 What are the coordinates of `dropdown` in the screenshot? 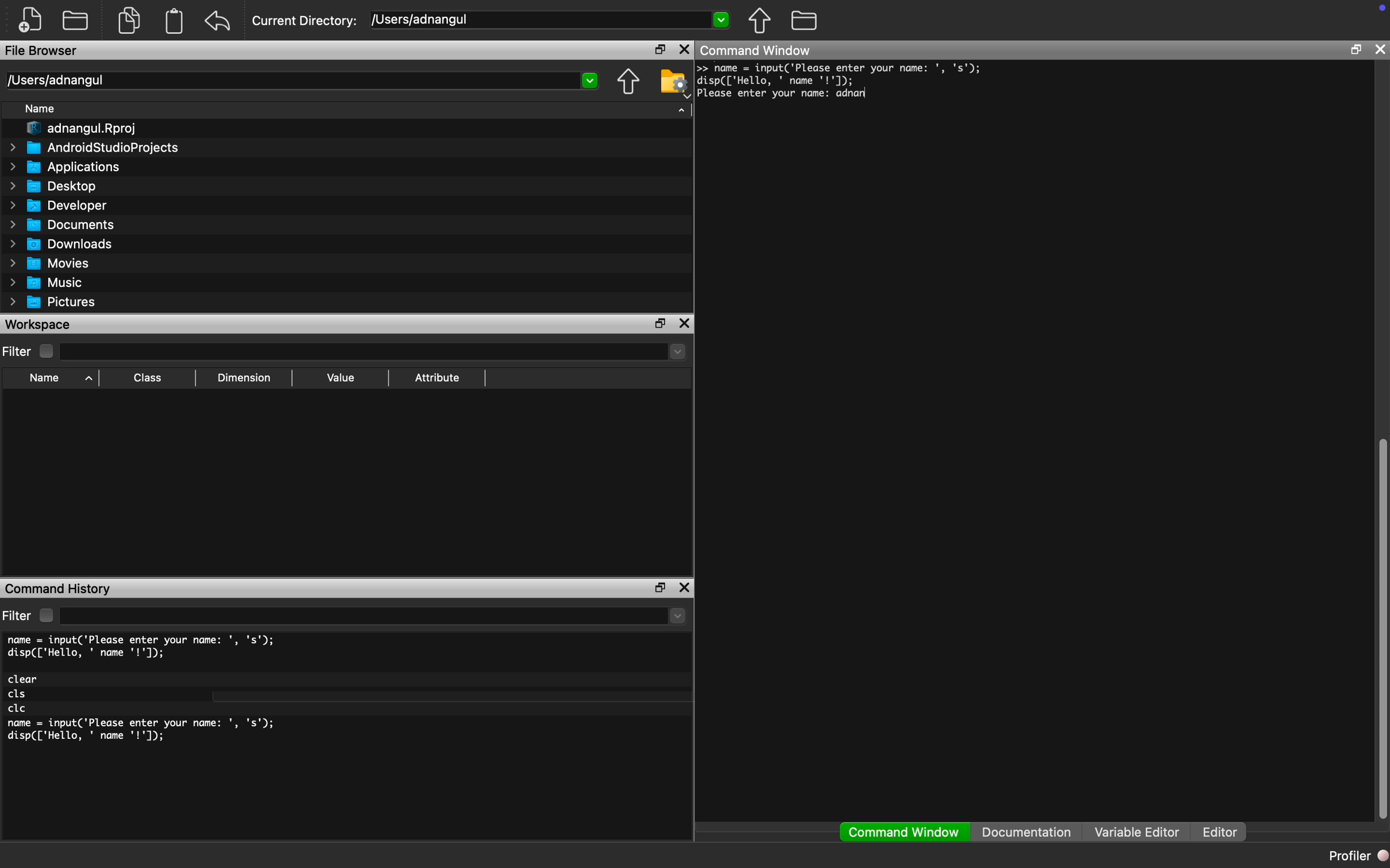 It's located at (678, 616).